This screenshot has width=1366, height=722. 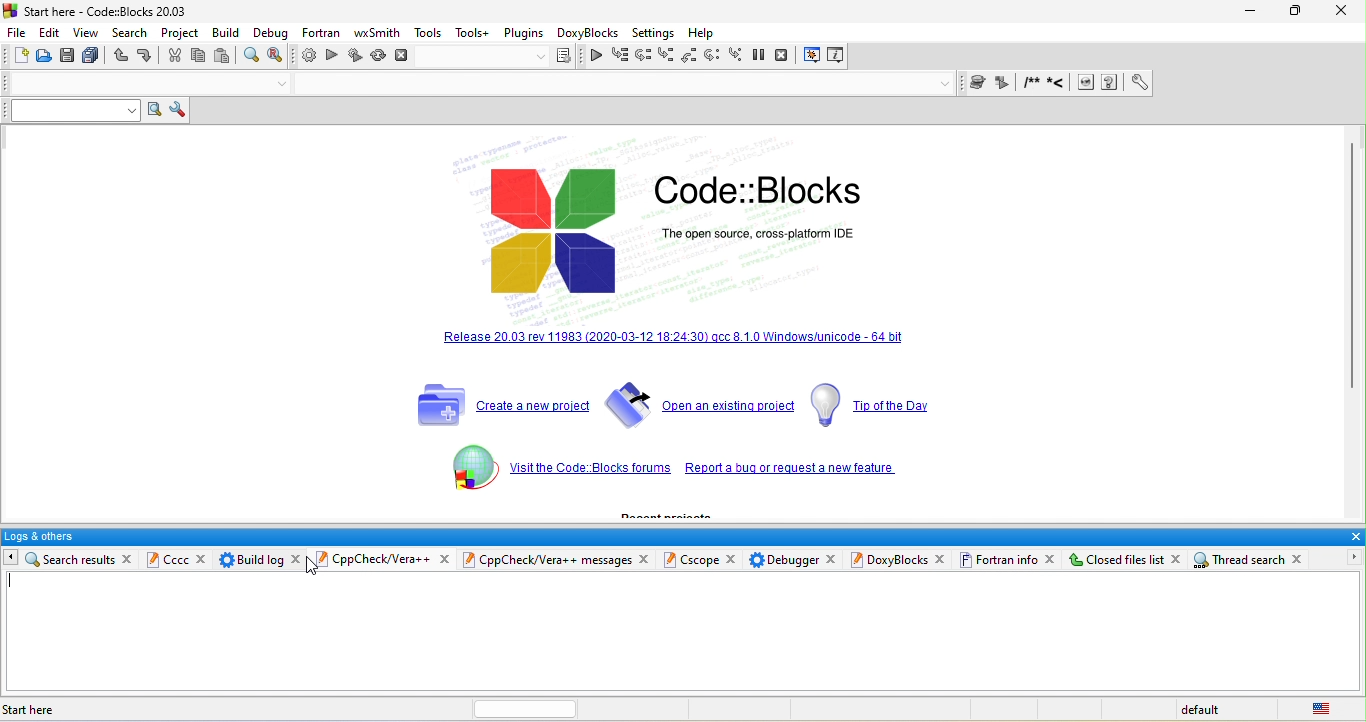 I want to click on view, so click(x=90, y=34).